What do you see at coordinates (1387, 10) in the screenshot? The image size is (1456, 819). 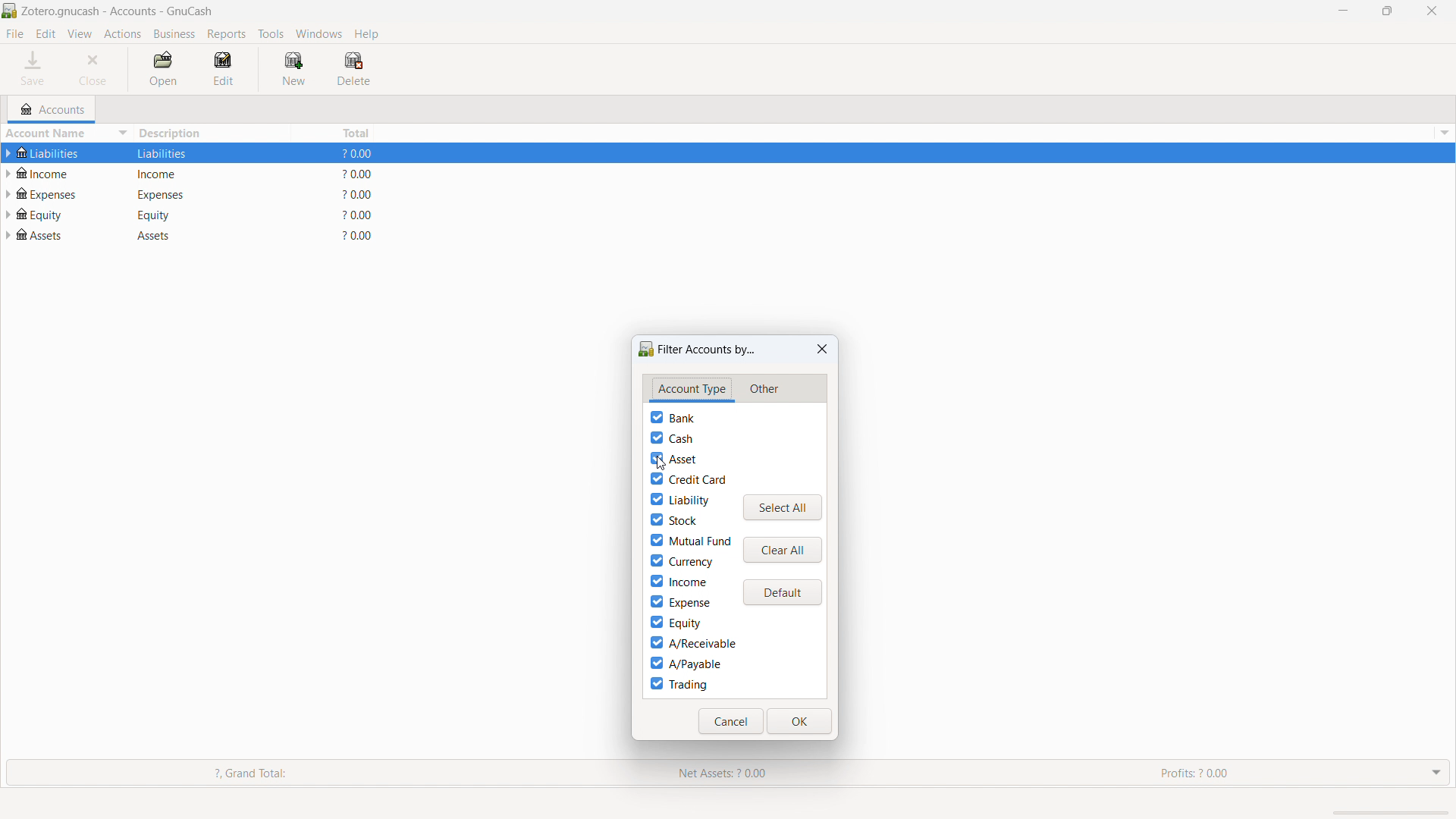 I see `maximize` at bounding box center [1387, 10].